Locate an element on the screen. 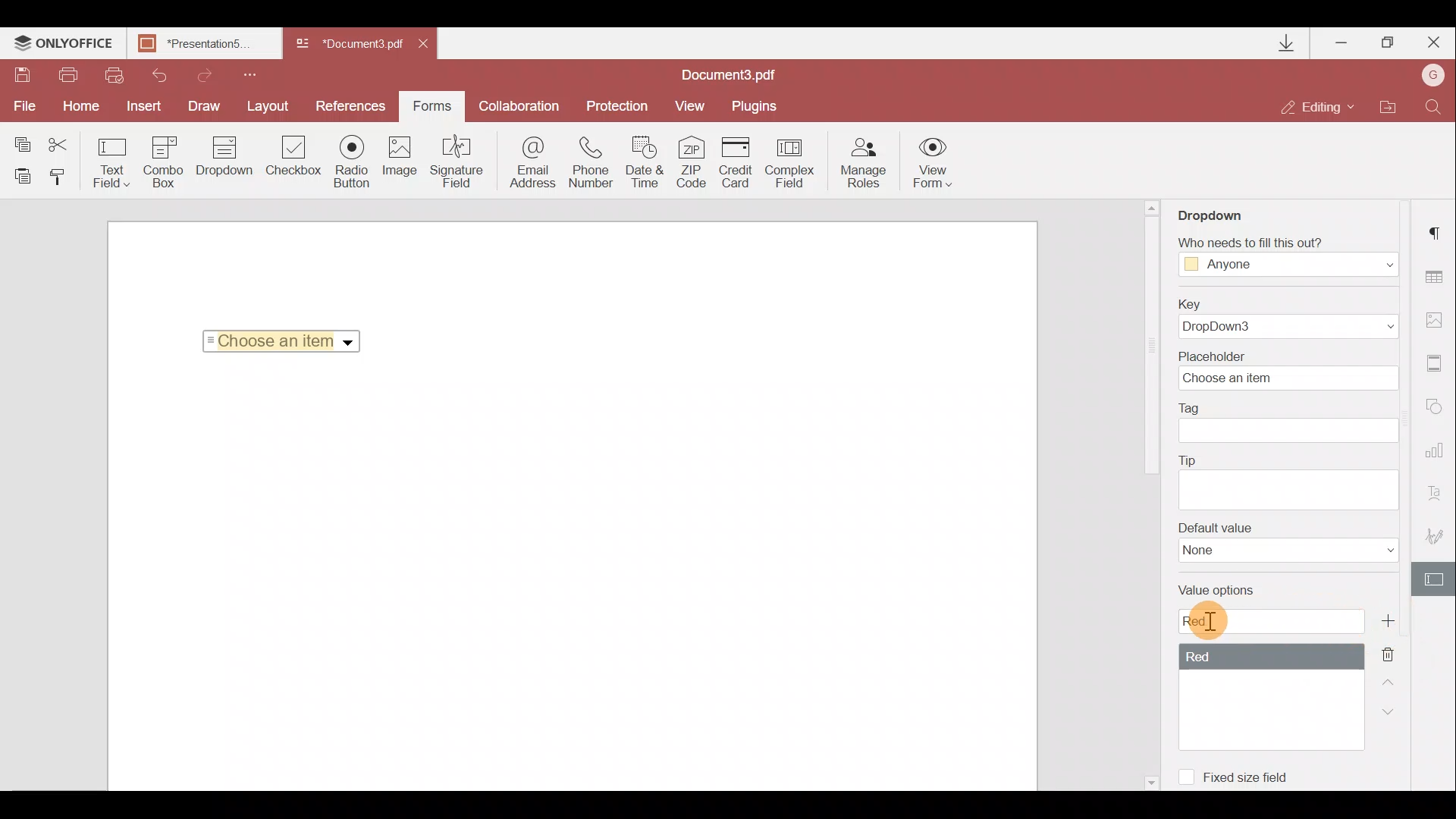  Dropdown is located at coordinates (1216, 214).